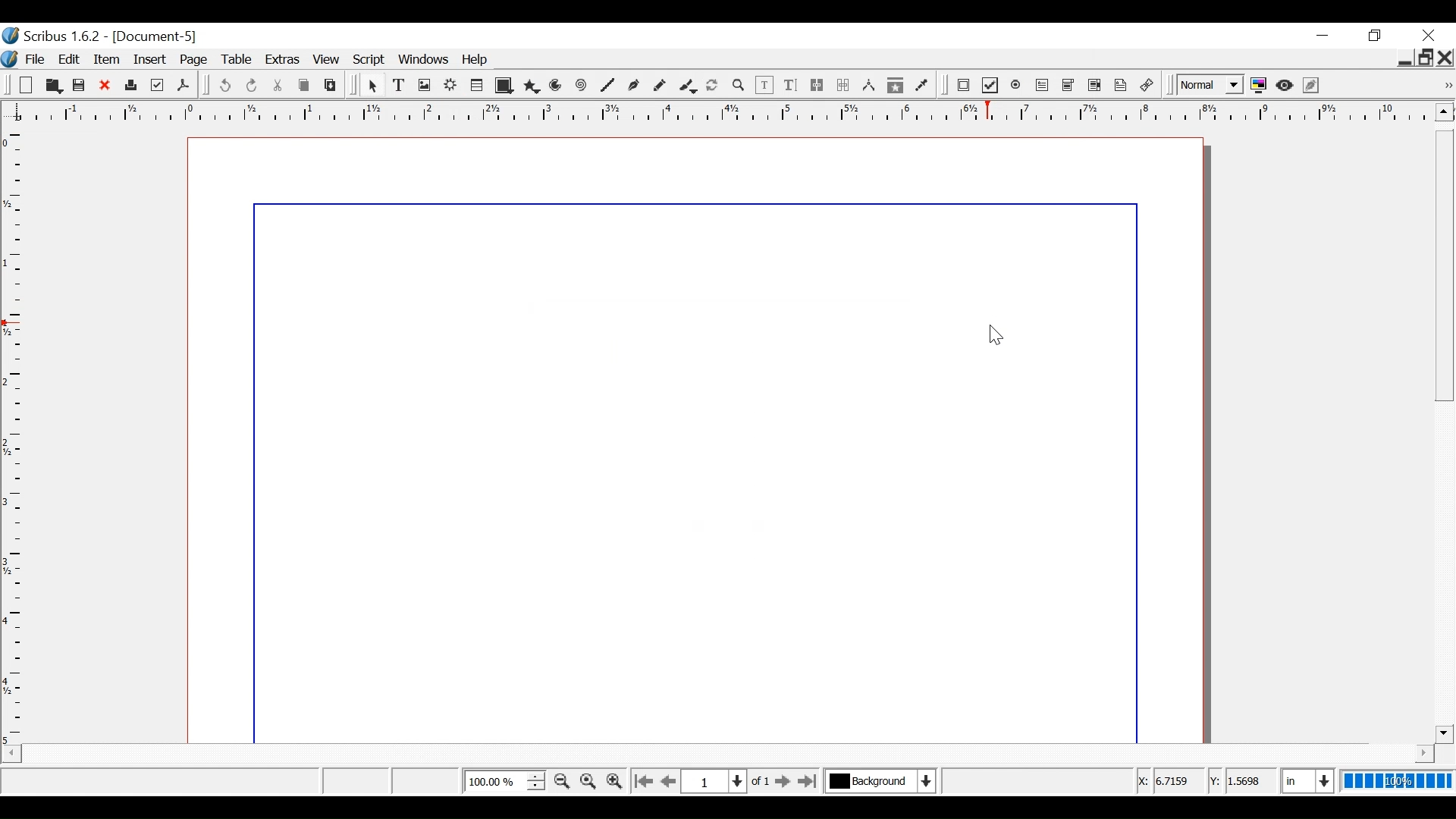  I want to click on Insert , so click(152, 60).